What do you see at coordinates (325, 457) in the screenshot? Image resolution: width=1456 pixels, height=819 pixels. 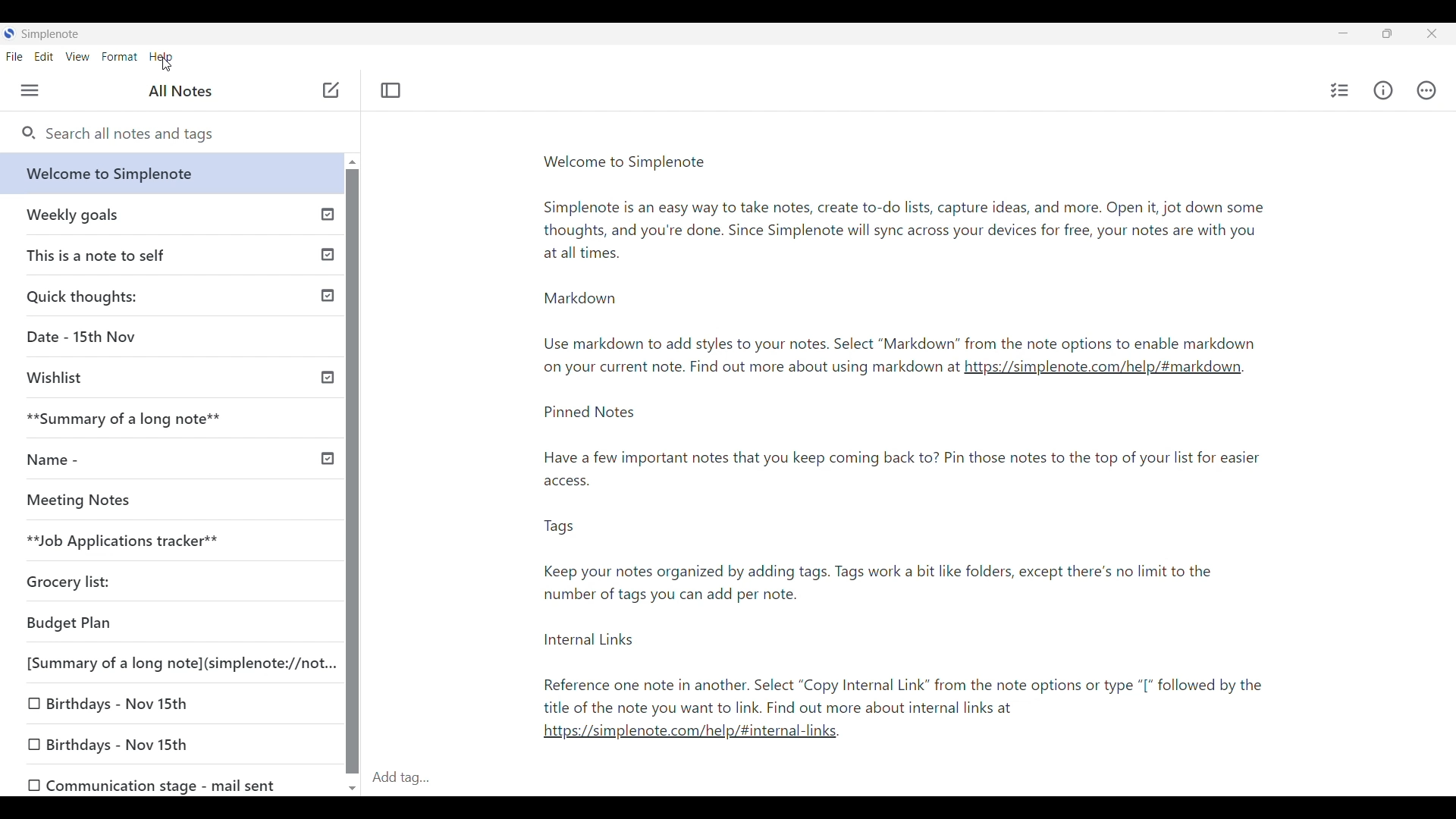 I see `` at bounding box center [325, 457].